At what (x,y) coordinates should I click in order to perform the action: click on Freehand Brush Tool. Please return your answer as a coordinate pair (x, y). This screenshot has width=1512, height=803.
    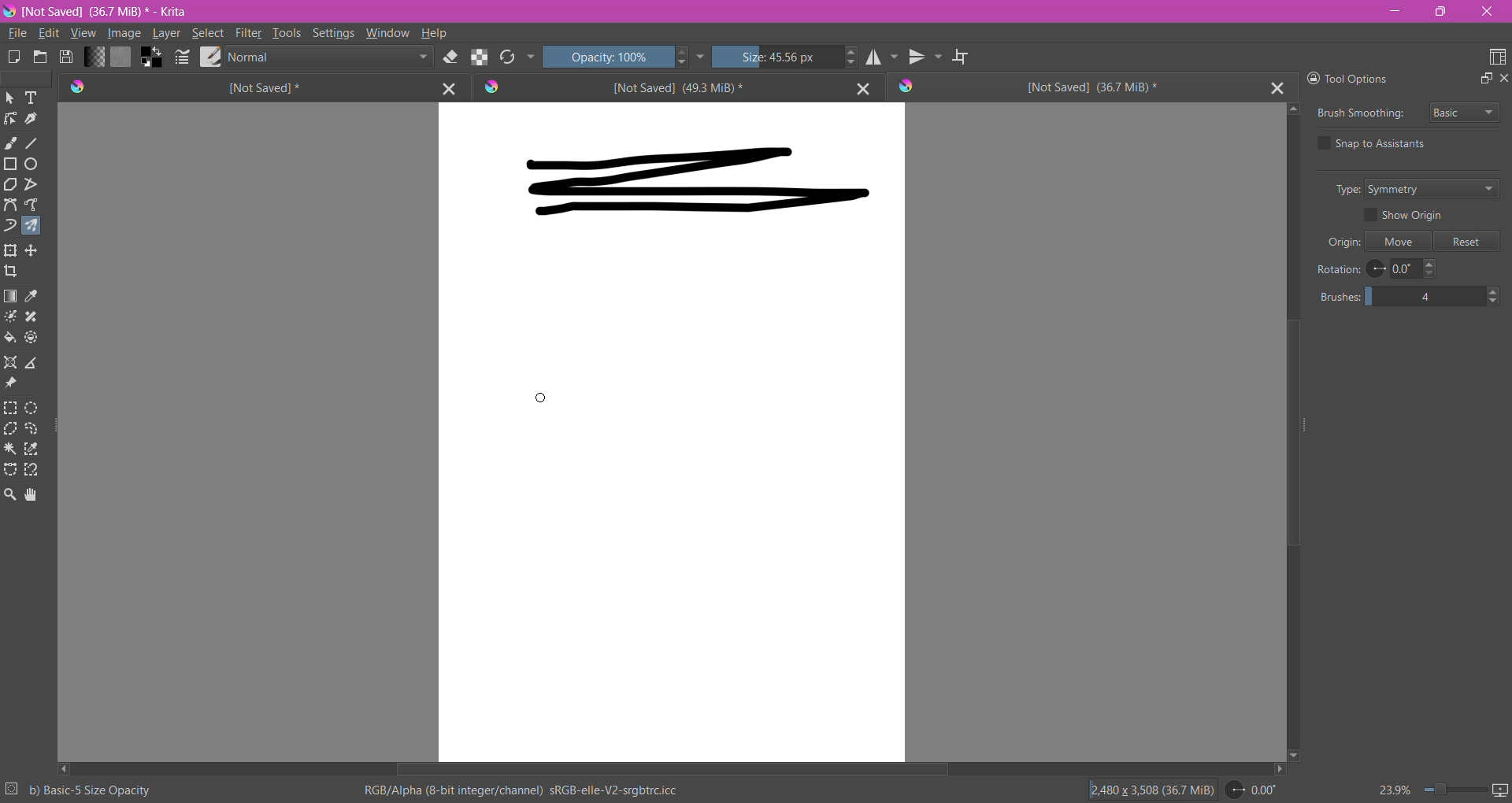
    Looking at the image, I should click on (11, 142).